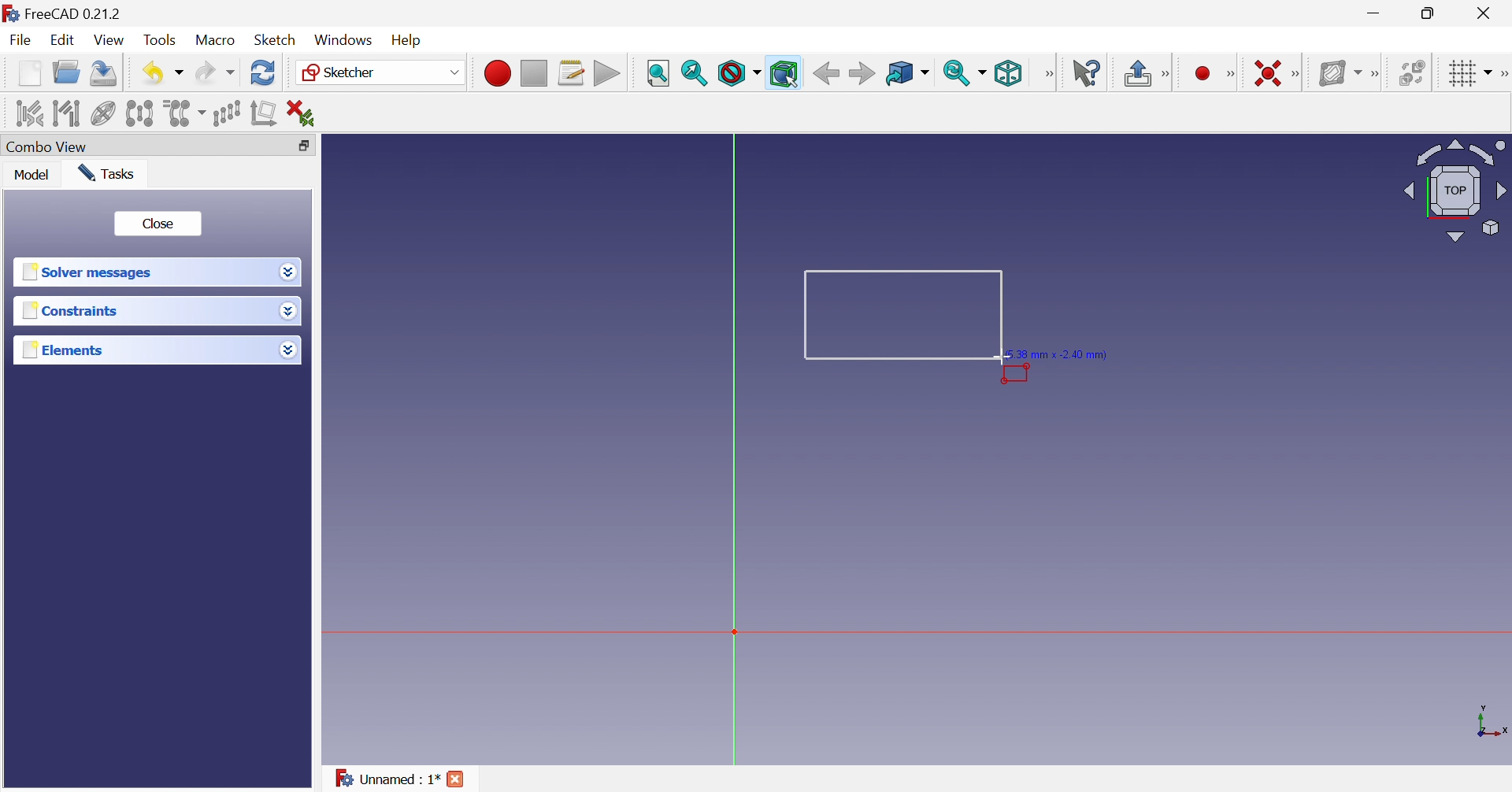 Image resolution: width=1512 pixels, height=792 pixels. Describe the element at coordinates (67, 72) in the screenshot. I see `Open` at that location.